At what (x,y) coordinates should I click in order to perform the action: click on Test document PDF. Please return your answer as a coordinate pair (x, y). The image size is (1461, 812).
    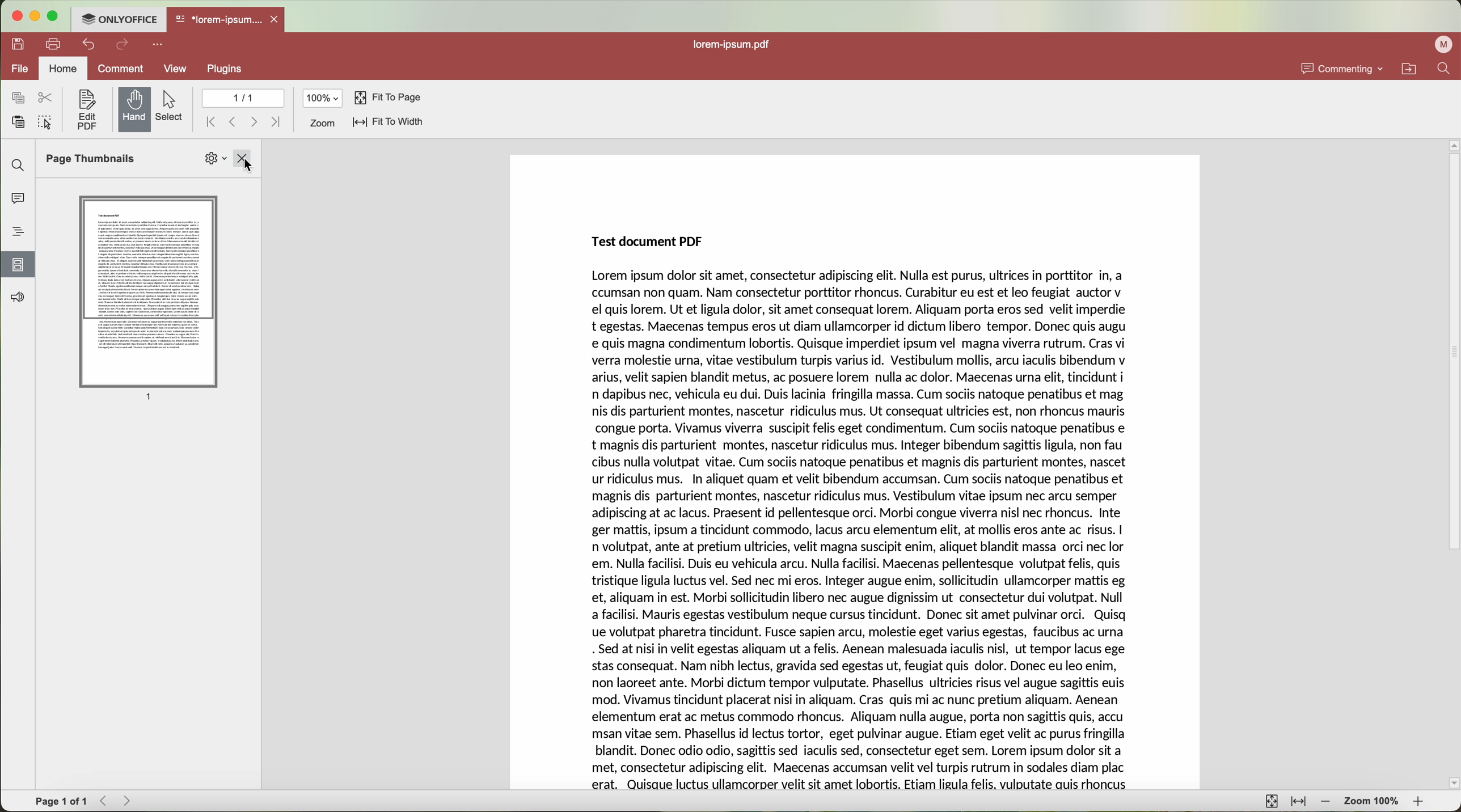
    Looking at the image, I should click on (648, 242).